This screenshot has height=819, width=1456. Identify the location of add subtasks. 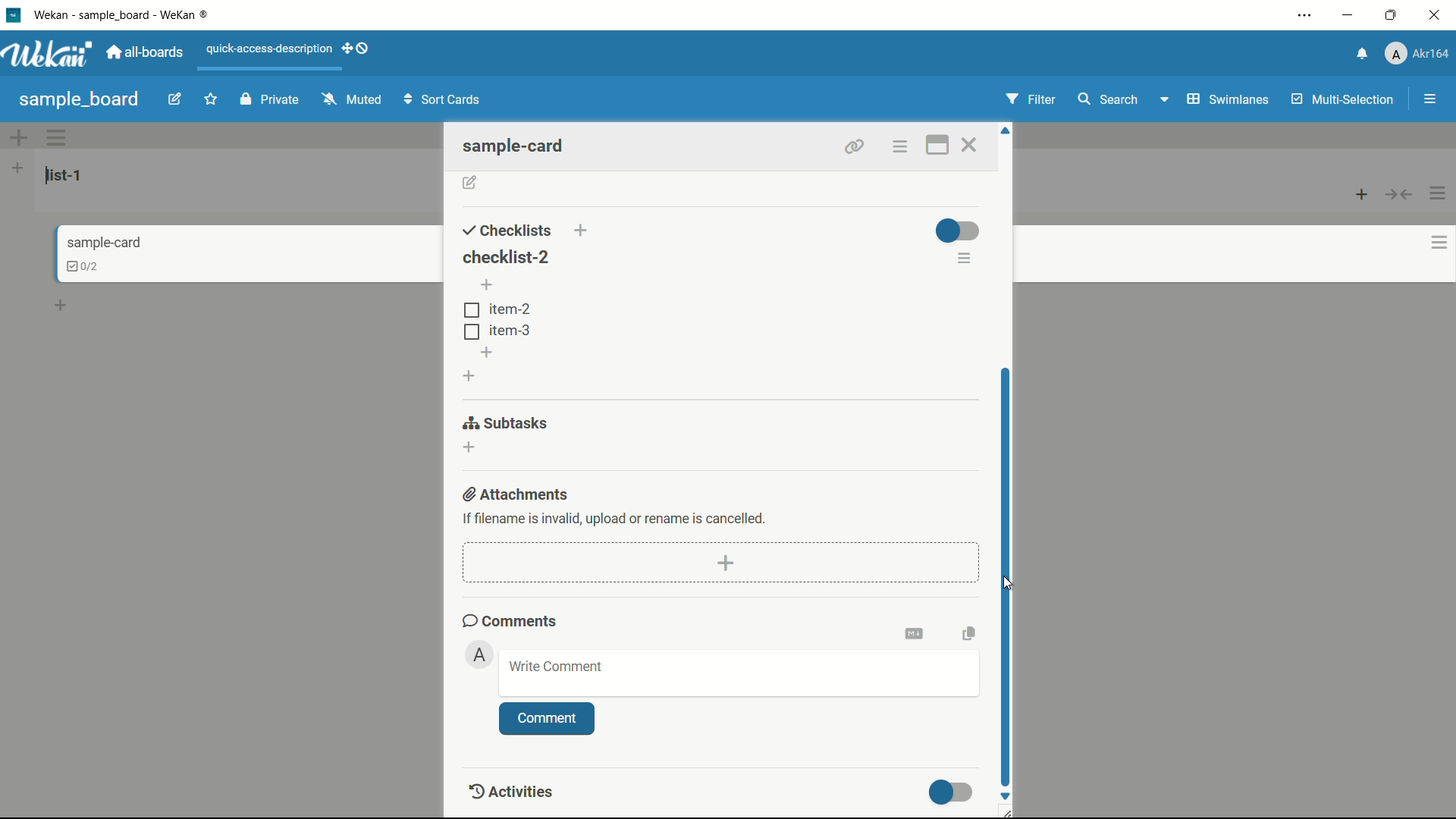
(470, 448).